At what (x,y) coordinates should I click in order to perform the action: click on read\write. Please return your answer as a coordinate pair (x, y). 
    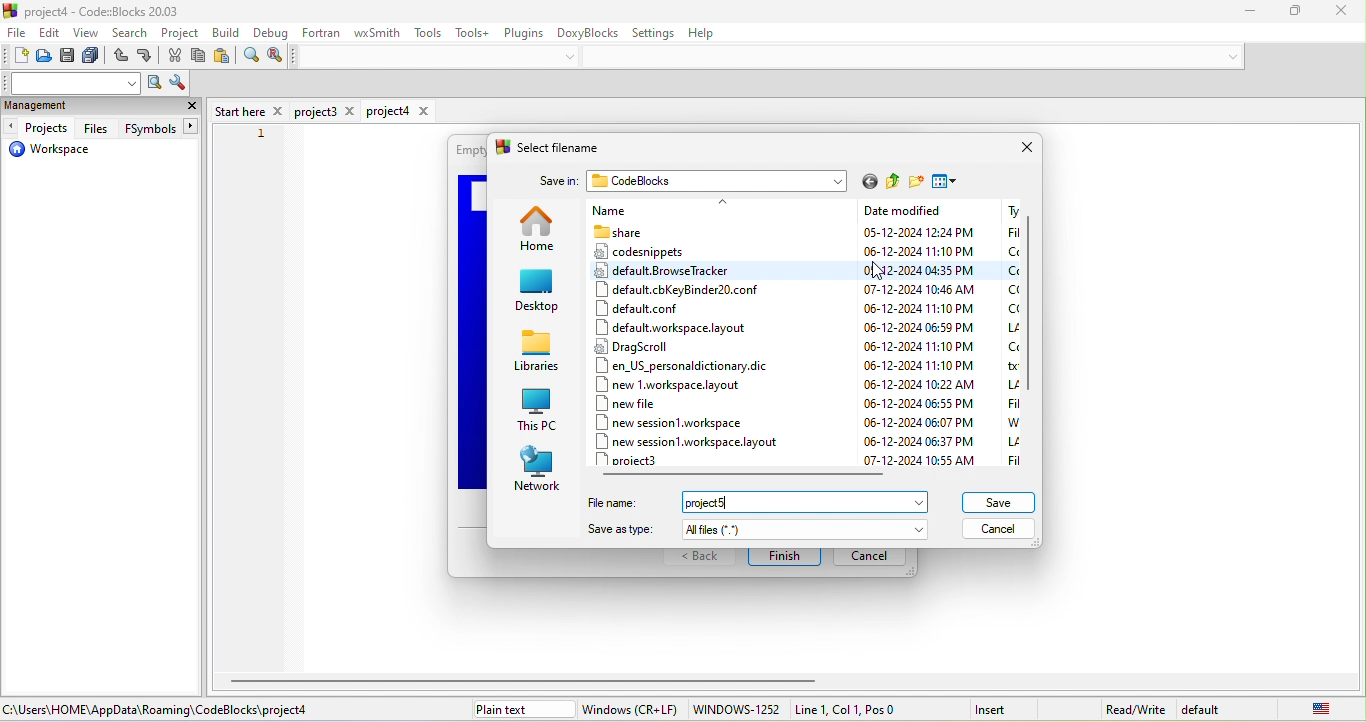
    Looking at the image, I should click on (1135, 706).